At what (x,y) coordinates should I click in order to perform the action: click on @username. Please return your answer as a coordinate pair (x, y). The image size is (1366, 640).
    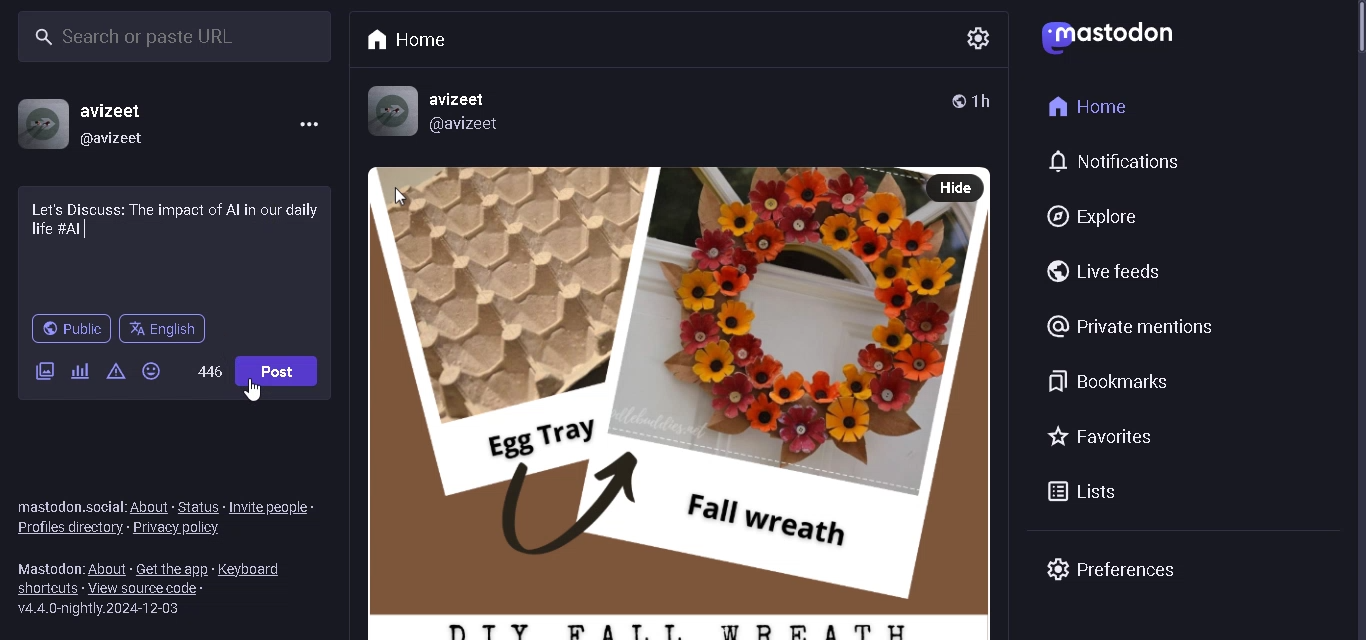
    Looking at the image, I should click on (479, 127).